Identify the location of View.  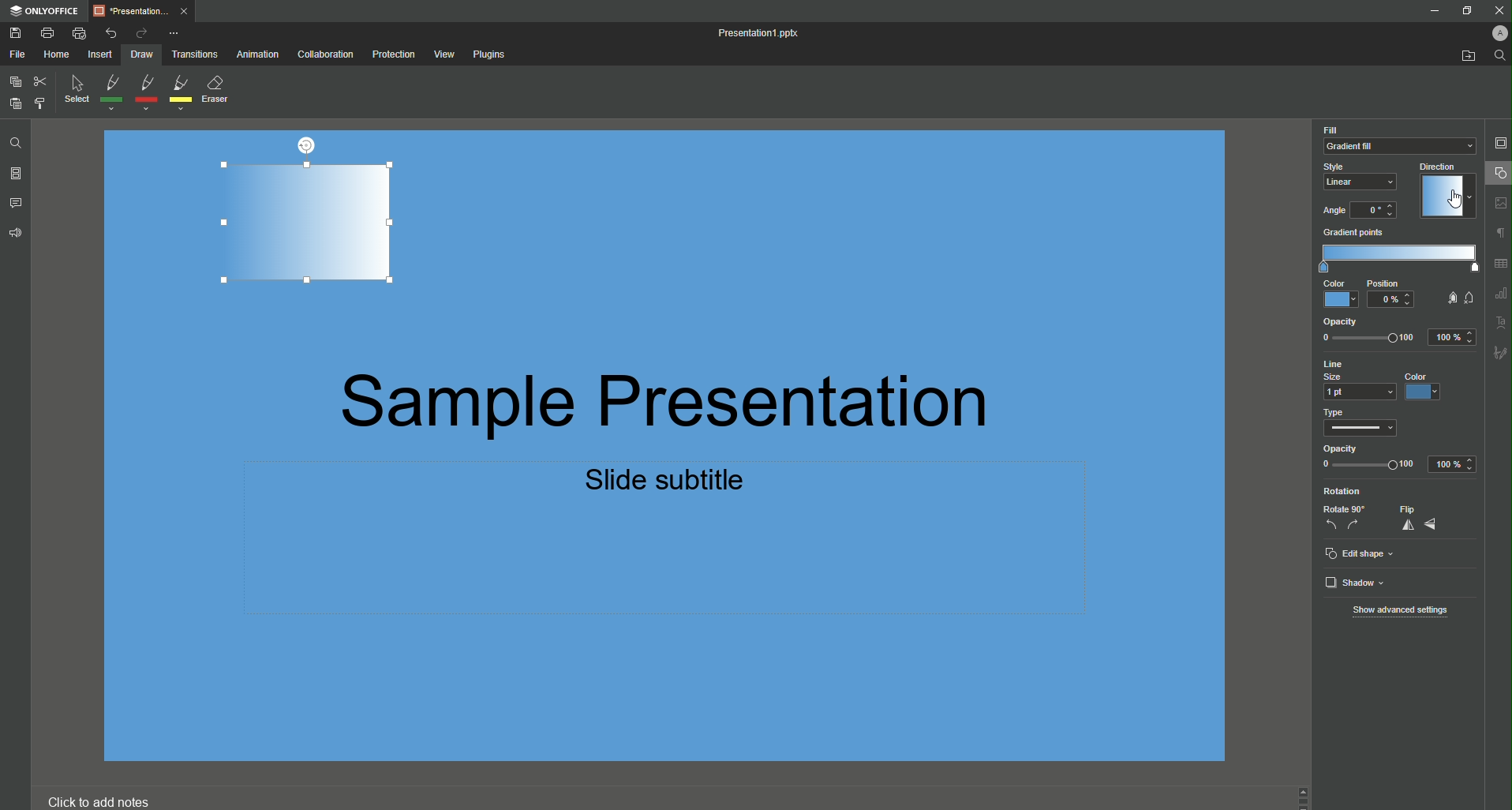
(443, 54).